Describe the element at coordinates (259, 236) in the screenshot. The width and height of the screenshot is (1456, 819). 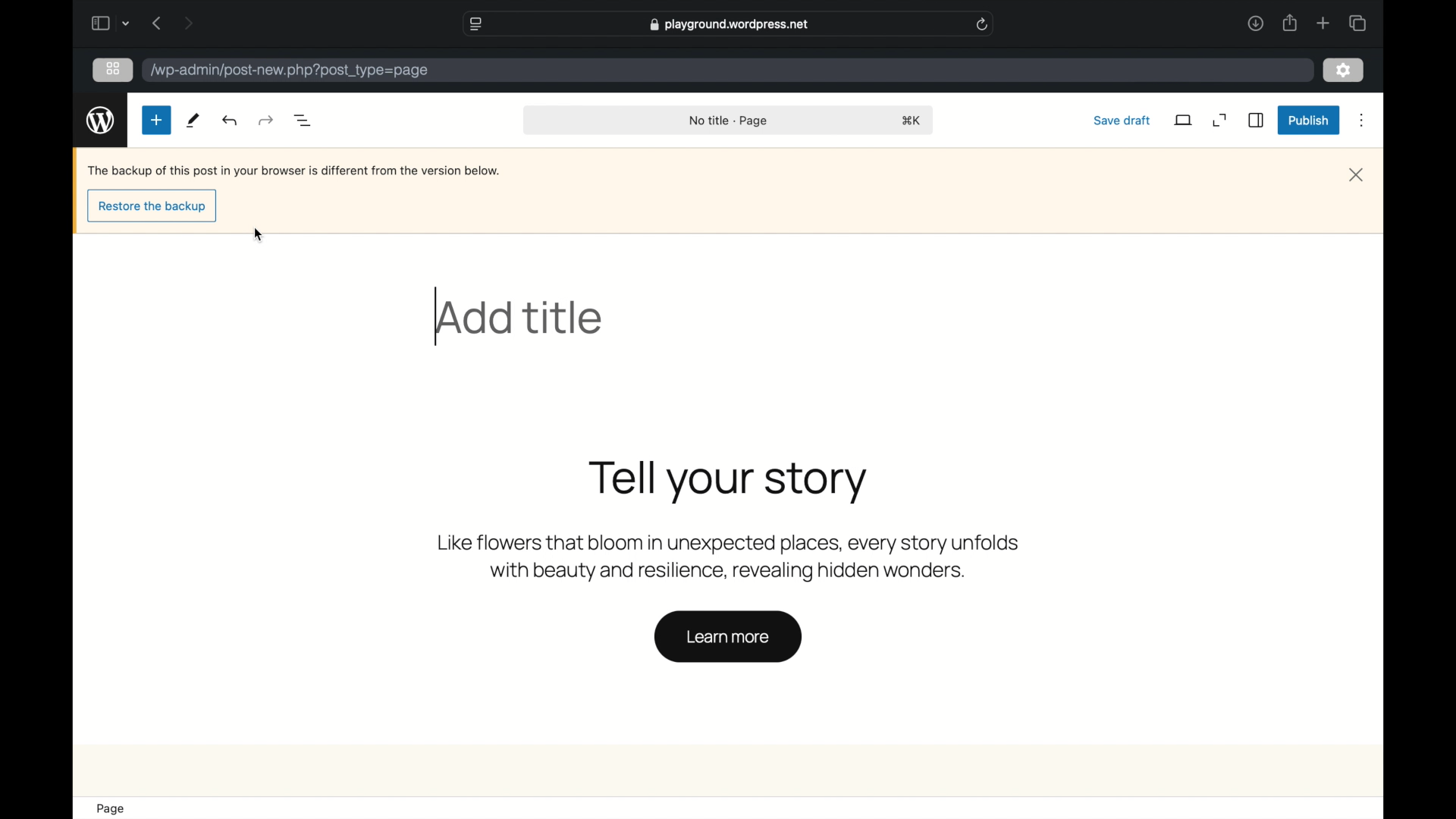
I see `cursor` at that location.